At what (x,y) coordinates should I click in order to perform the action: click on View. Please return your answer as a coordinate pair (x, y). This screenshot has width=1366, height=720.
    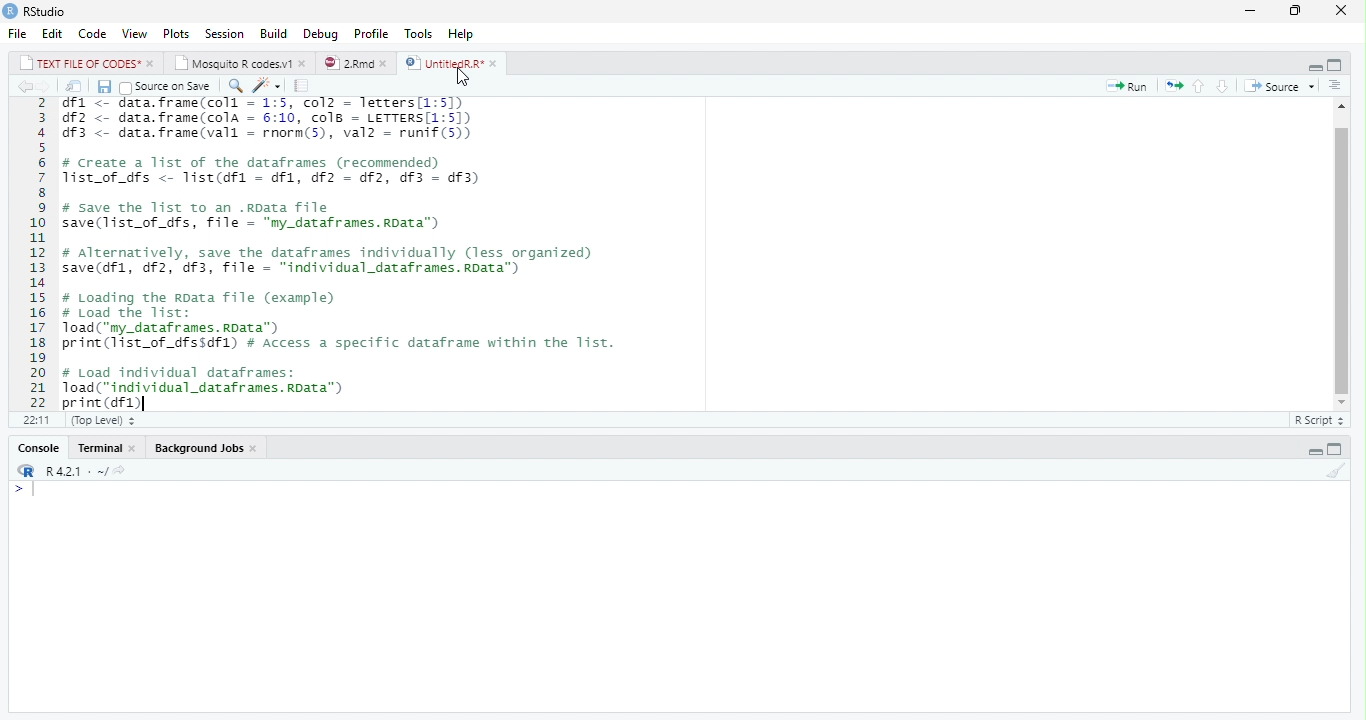
    Looking at the image, I should click on (135, 34).